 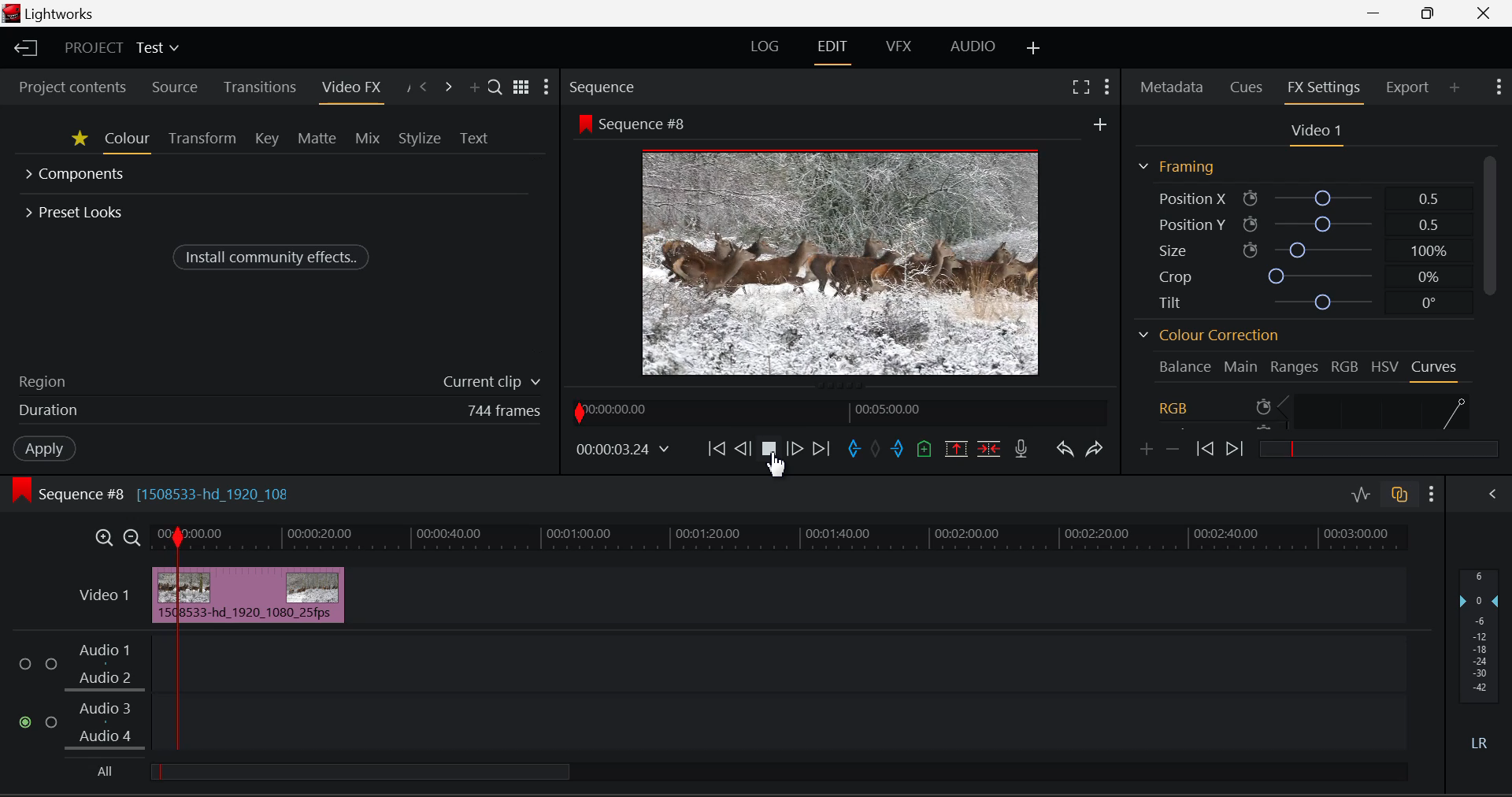 I want to click on Screen Altered, so click(x=841, y=261).